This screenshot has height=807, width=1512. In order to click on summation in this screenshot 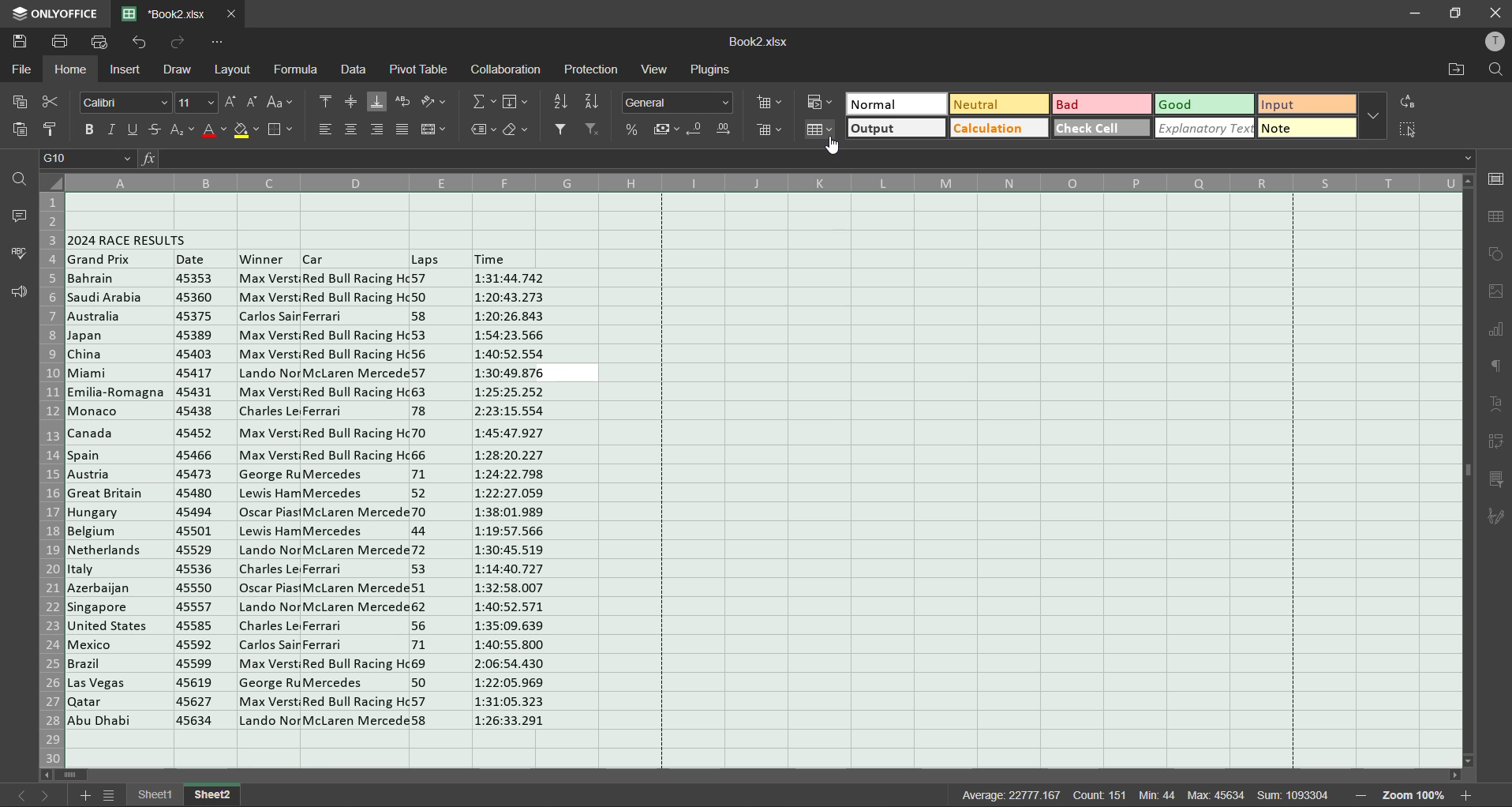, I will do `click(483, 102)`.